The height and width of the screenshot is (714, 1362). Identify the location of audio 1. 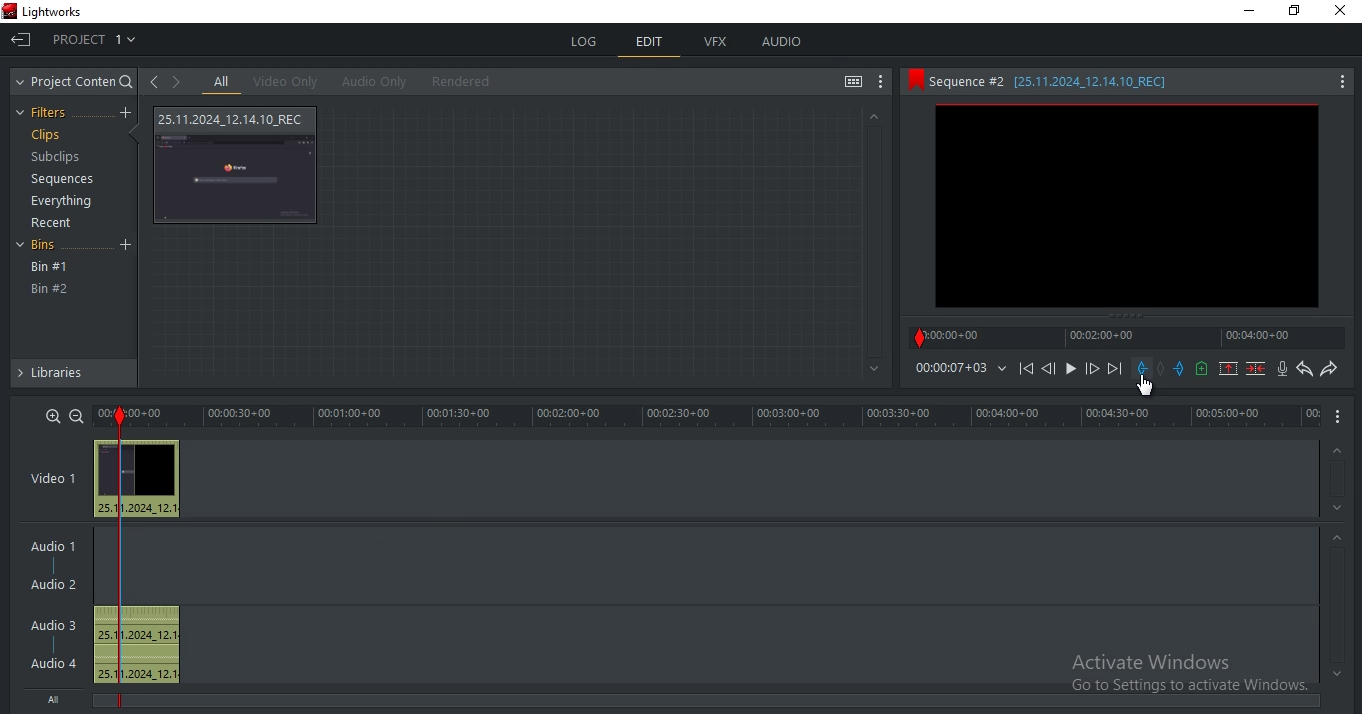
(56, 547).